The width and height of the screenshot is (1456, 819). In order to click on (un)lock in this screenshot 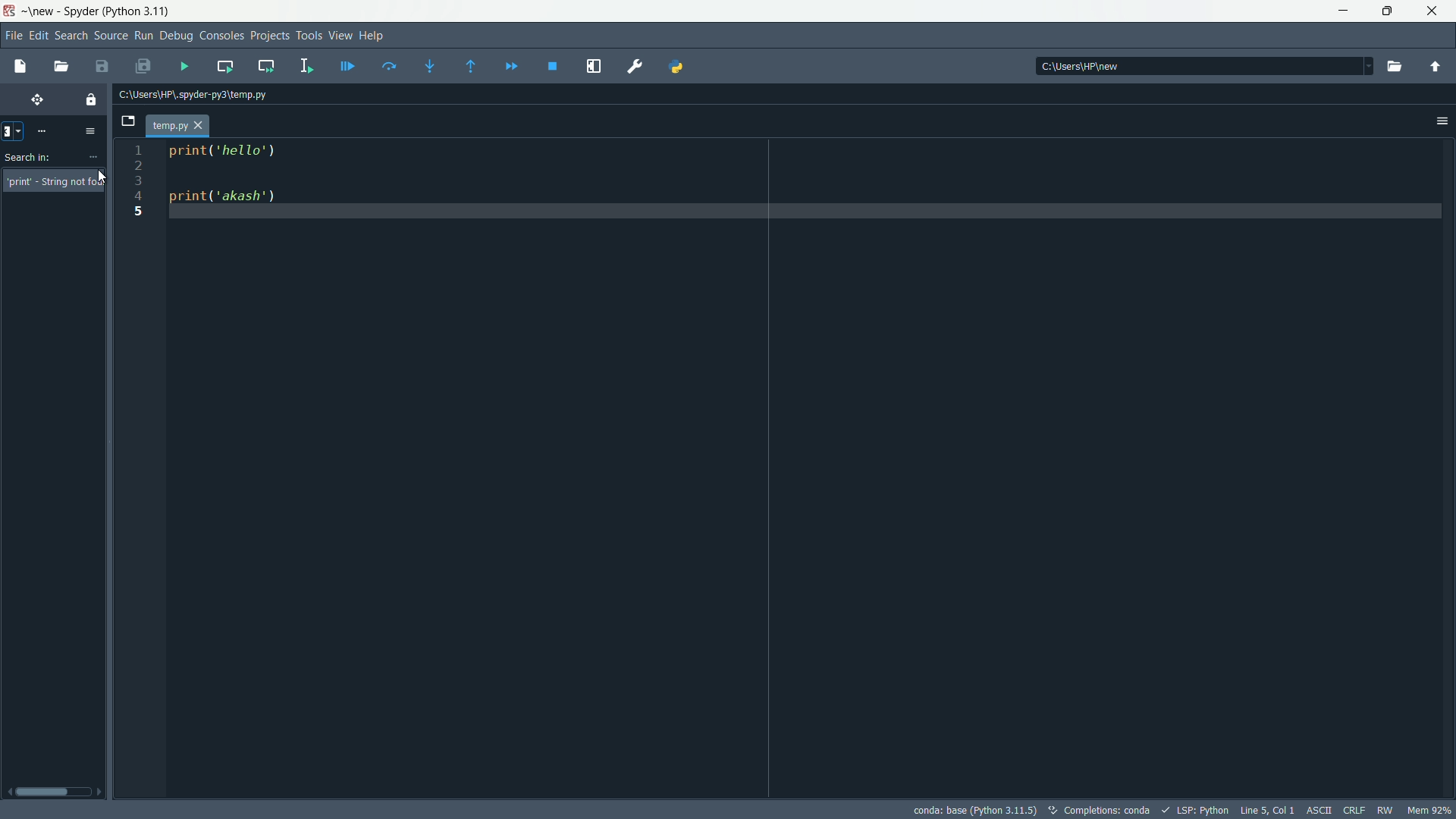, I will do `click(91, 100)`.